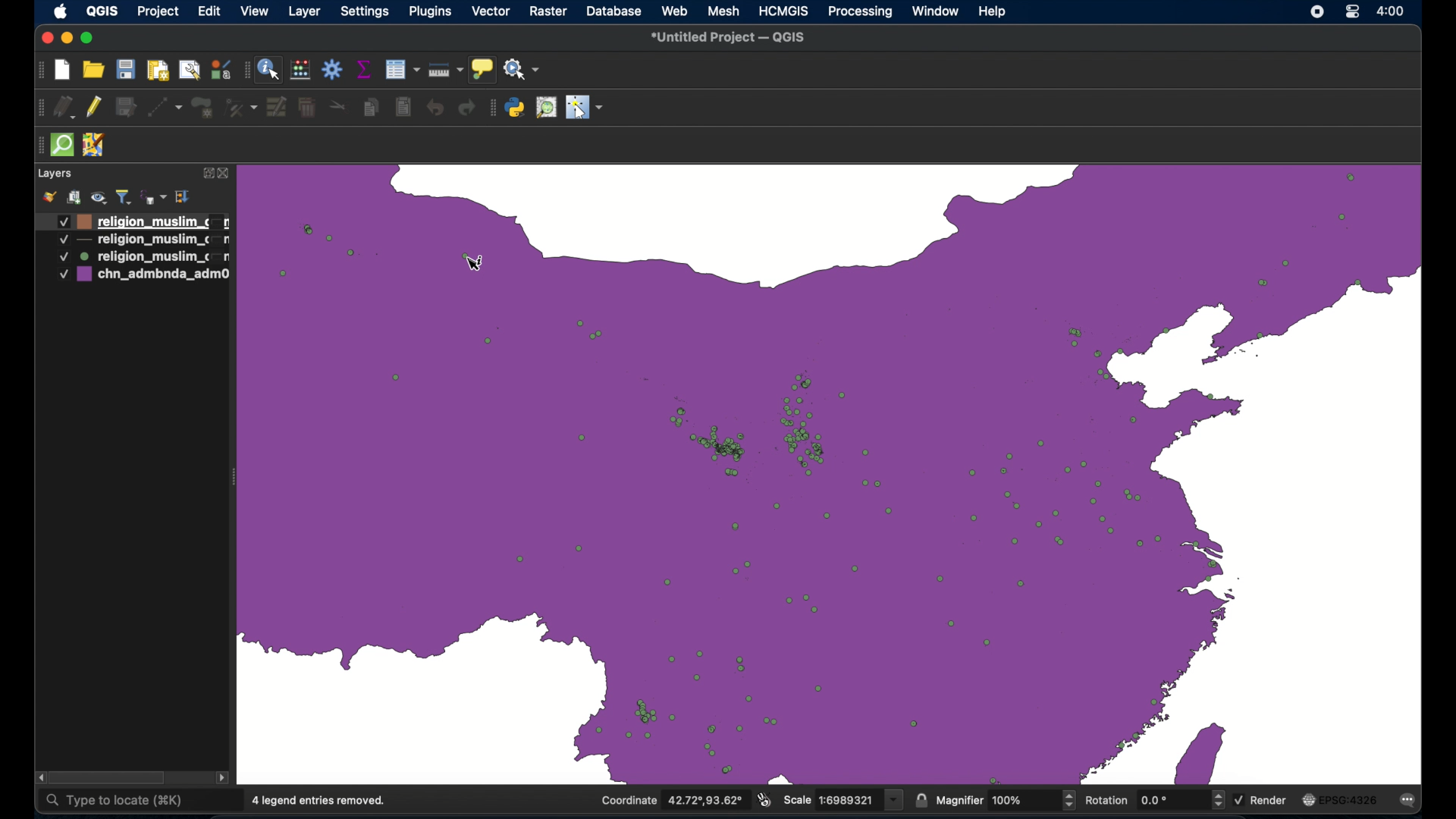  Describe the element at coordinates (993, 11) in the screenshot. I see `help` at that location.